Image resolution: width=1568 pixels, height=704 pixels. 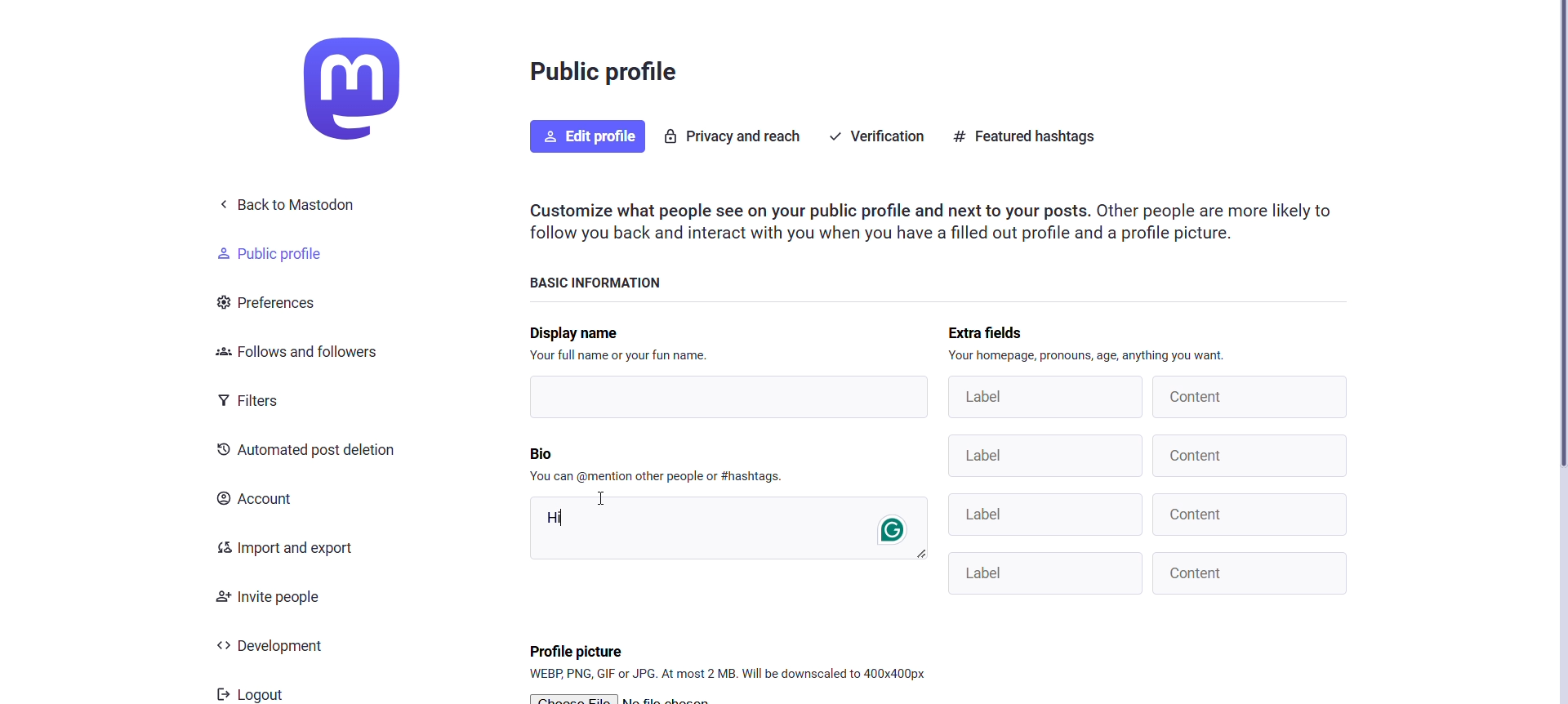 I want to click on Your homepage, pronouns, age, anything you want., so click(x=1091, y=355).